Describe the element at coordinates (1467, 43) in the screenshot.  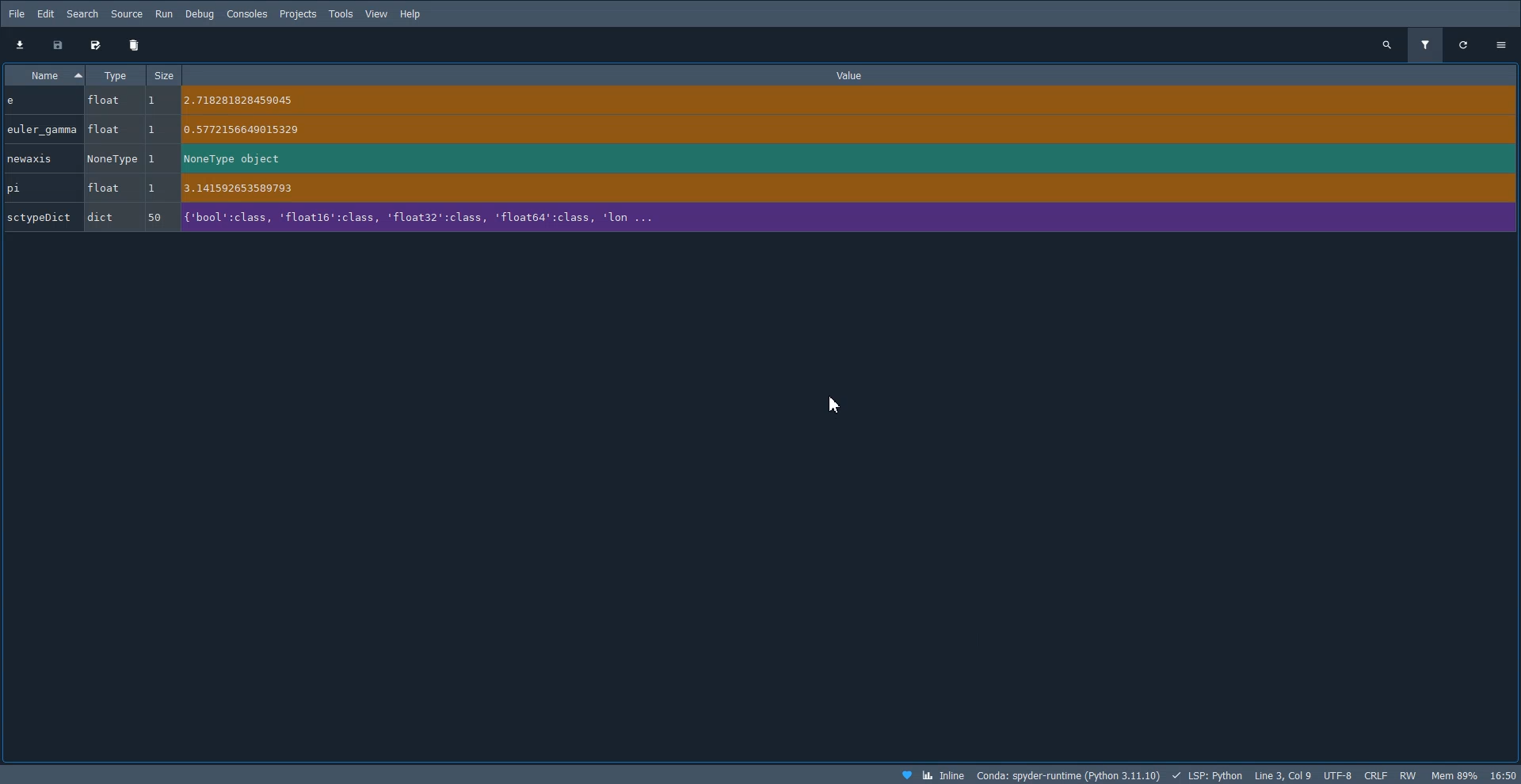
I see `Refresh` at that location.